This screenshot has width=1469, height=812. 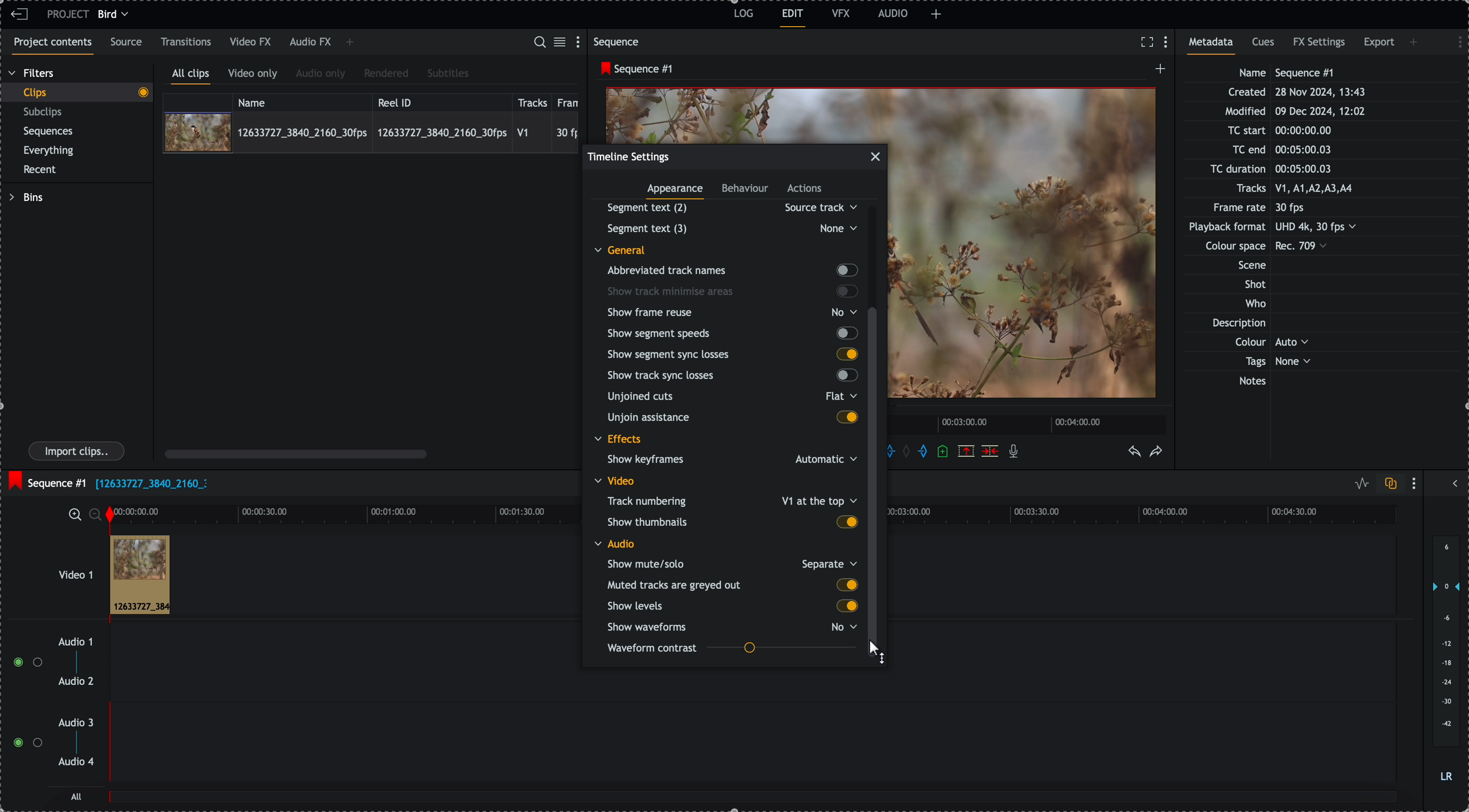 What do you see at coordinates (1016, 452) in the screenshot?
I see `recored voice-over` at bounding box center [1016, 452].